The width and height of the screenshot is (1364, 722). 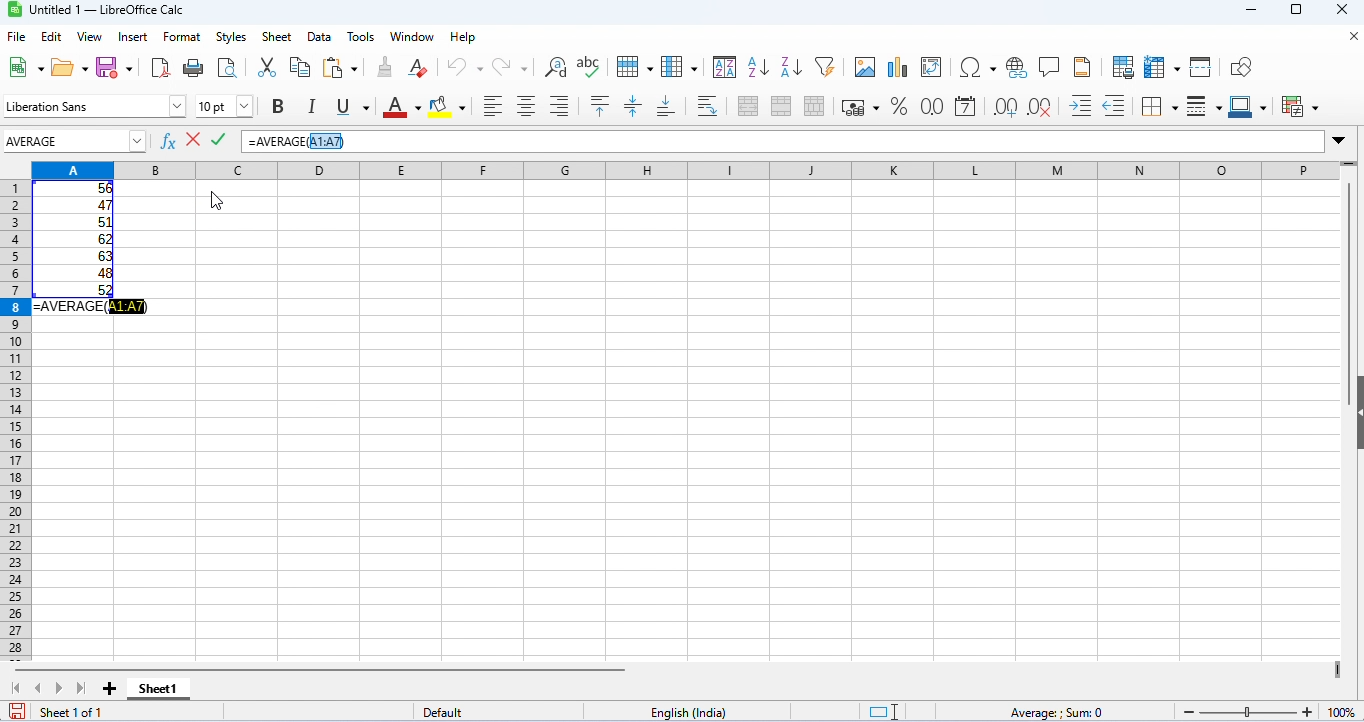 I want to click on drop down, so click(x=141, y=140).